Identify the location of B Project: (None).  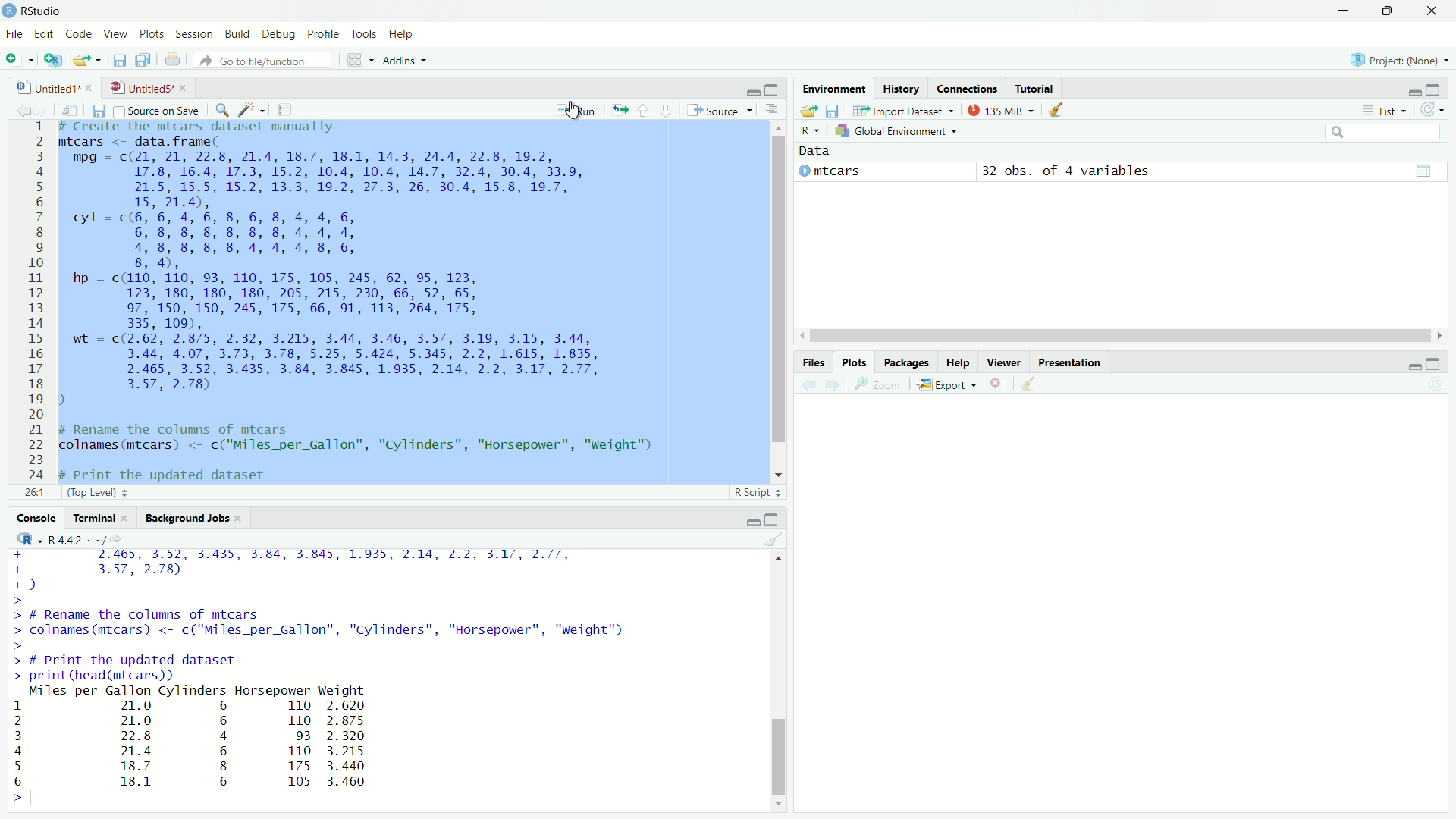
(1396, 61).